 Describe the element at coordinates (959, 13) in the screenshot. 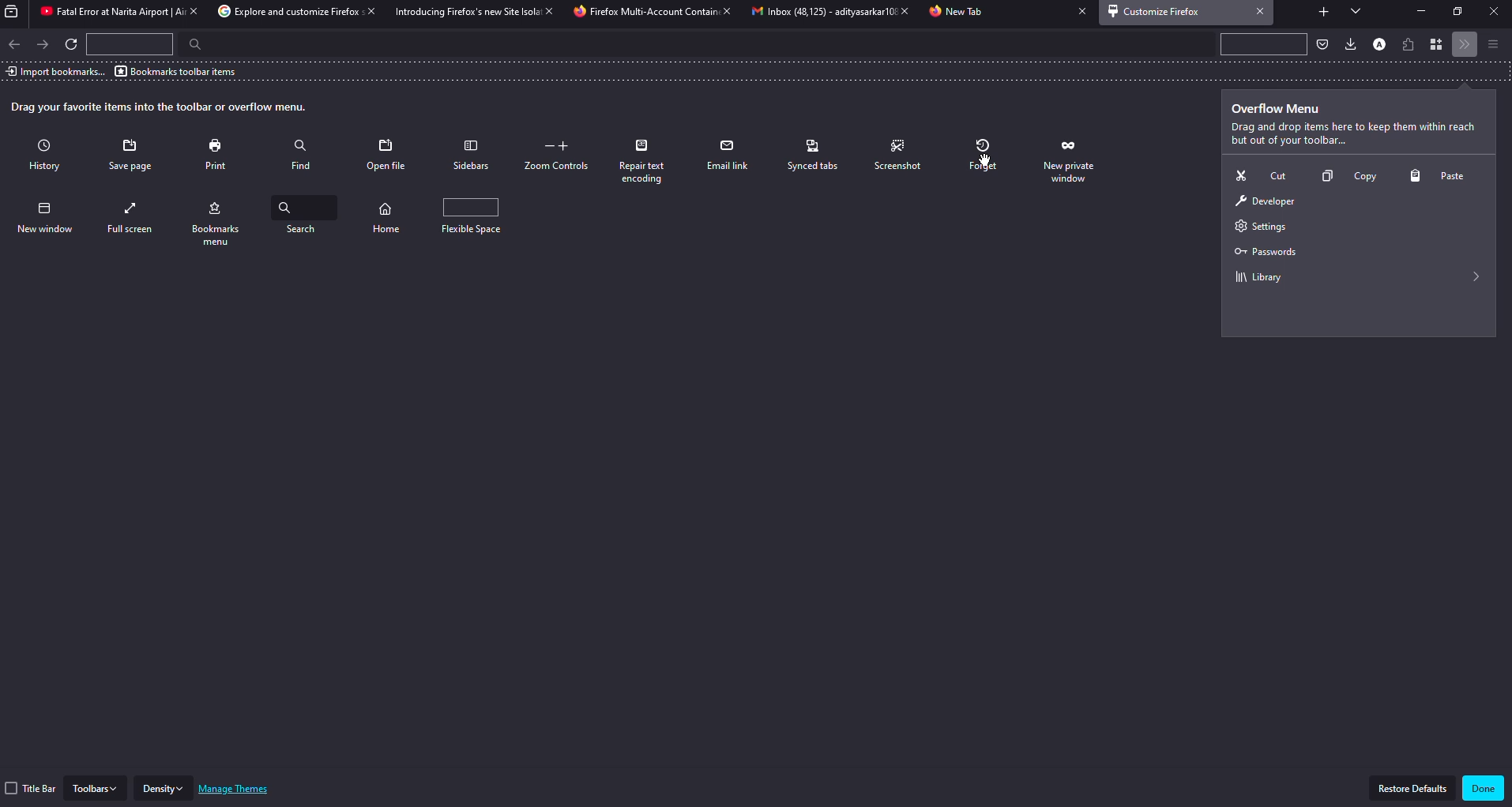

I see `tab` at that location.